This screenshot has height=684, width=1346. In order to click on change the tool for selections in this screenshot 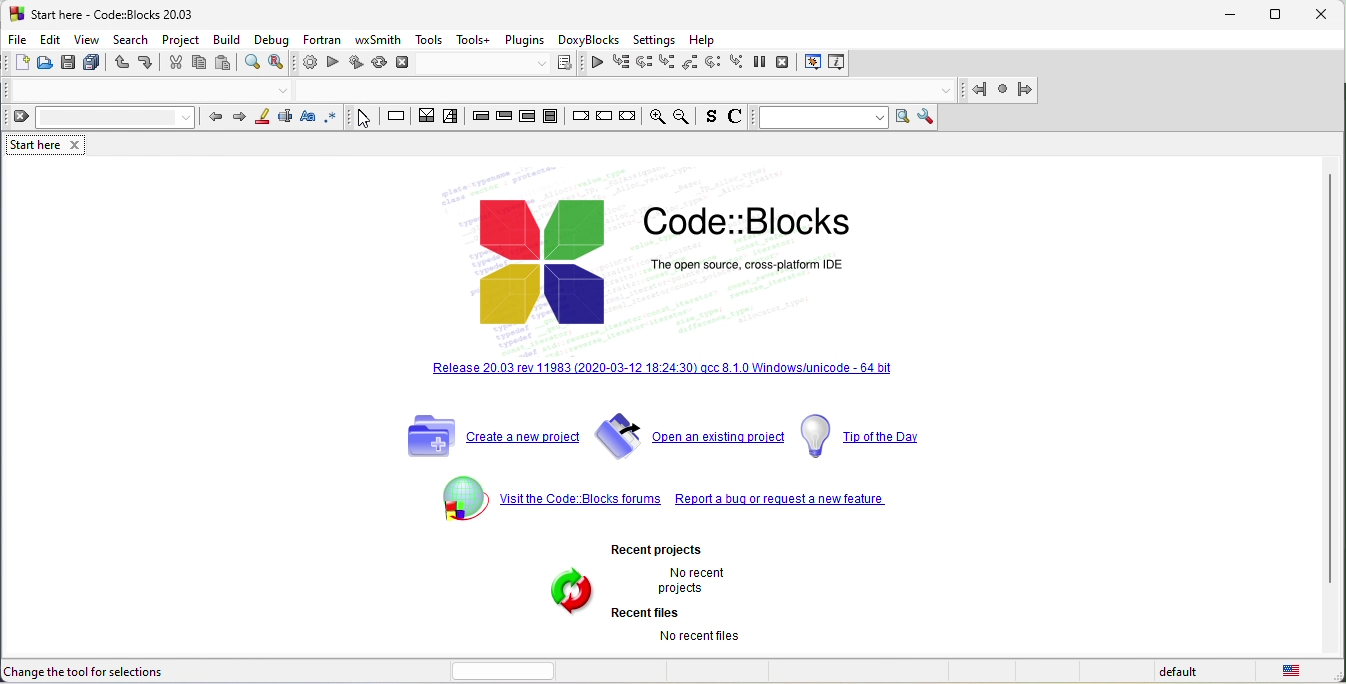, I will do `click(94, 672)`.